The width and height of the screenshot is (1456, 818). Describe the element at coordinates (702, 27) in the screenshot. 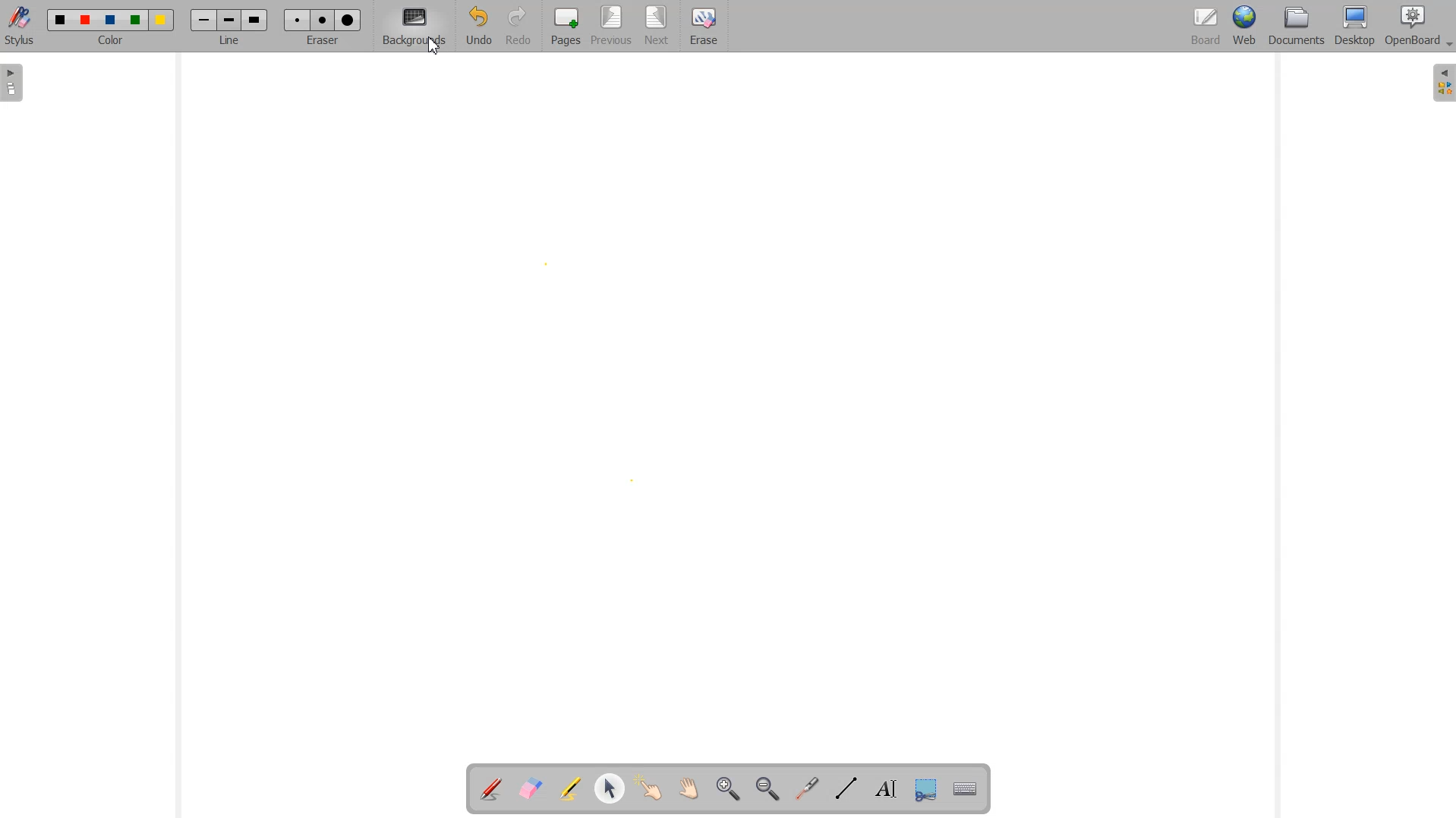

I see `Erase` at that location.